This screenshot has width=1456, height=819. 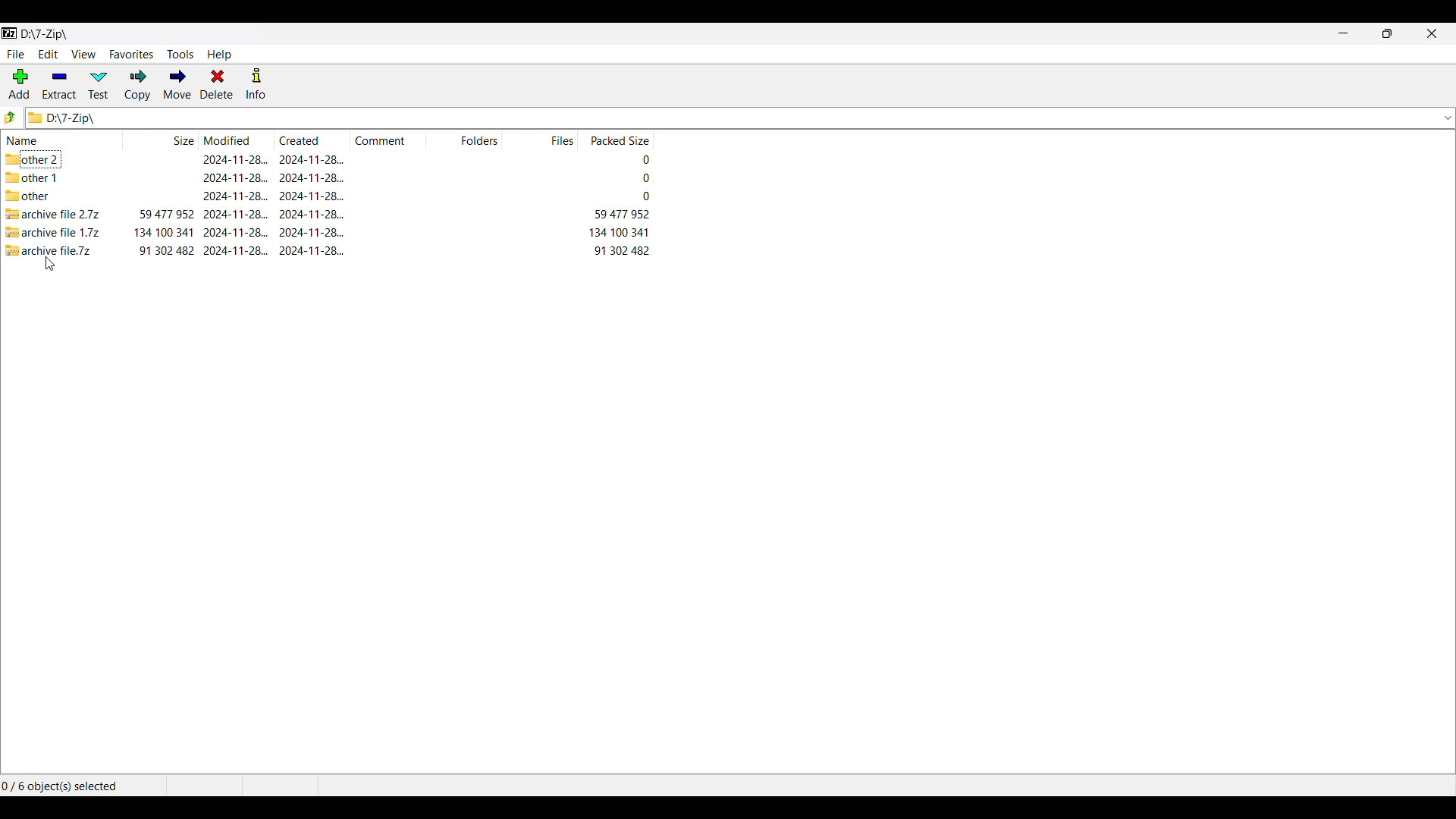 What do you see at coordinates (167, 214) in the screenshot?
I see `size` at bounding box center [167, 214].